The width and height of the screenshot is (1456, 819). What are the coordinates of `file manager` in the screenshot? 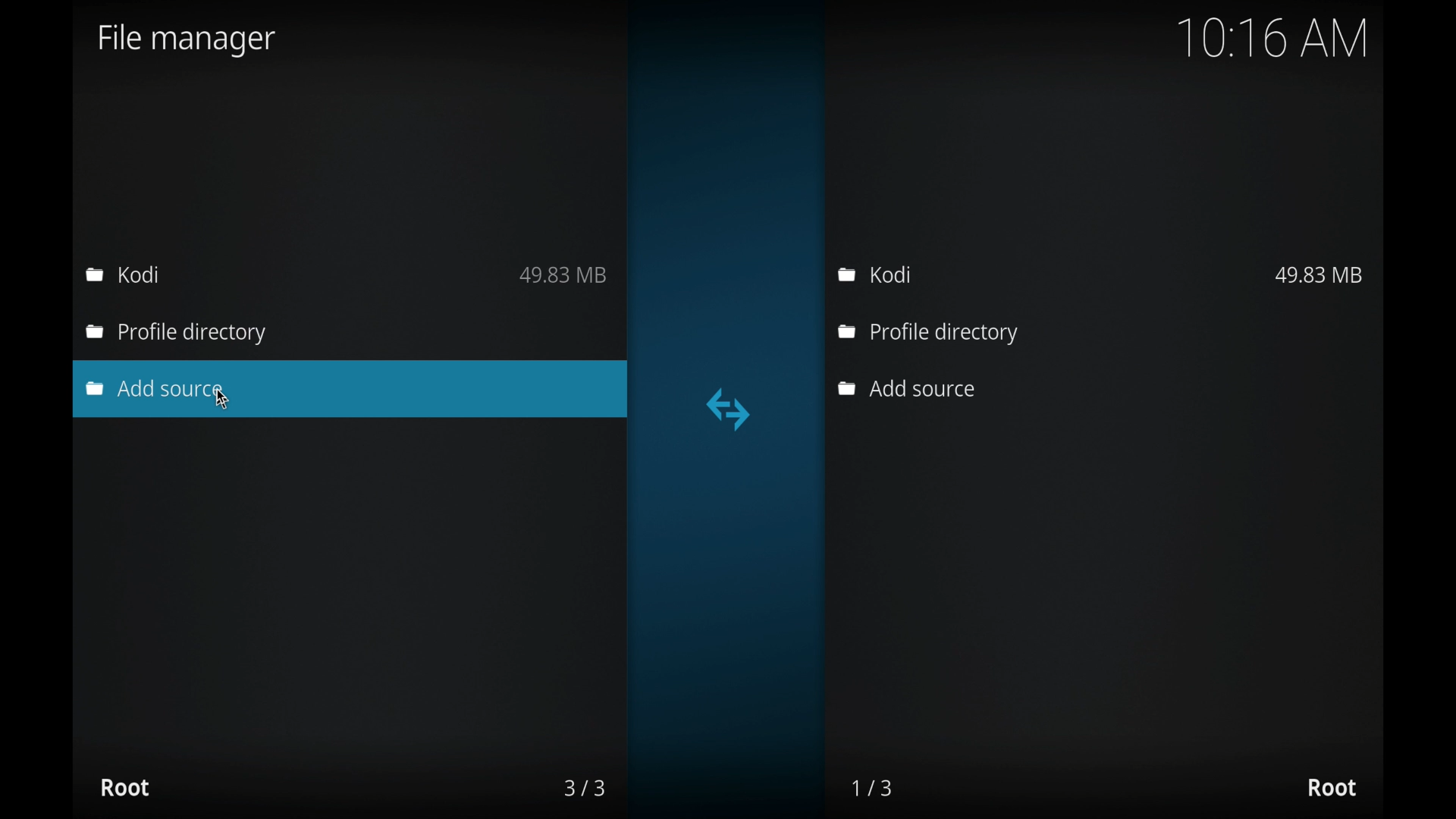 It's located at (187, 40).